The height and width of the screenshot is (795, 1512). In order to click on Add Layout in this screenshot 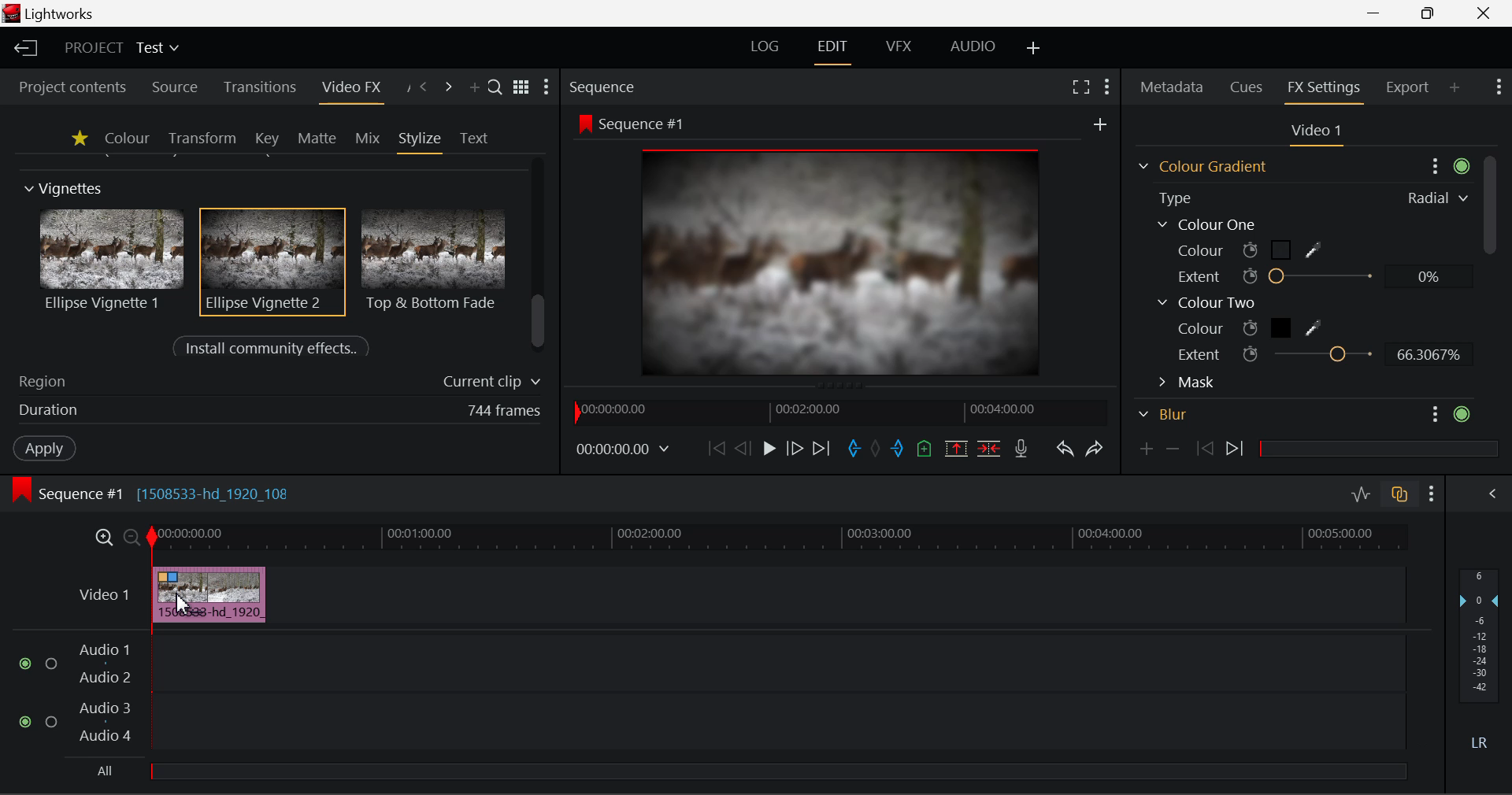, I will do `click(1034, 48)`.